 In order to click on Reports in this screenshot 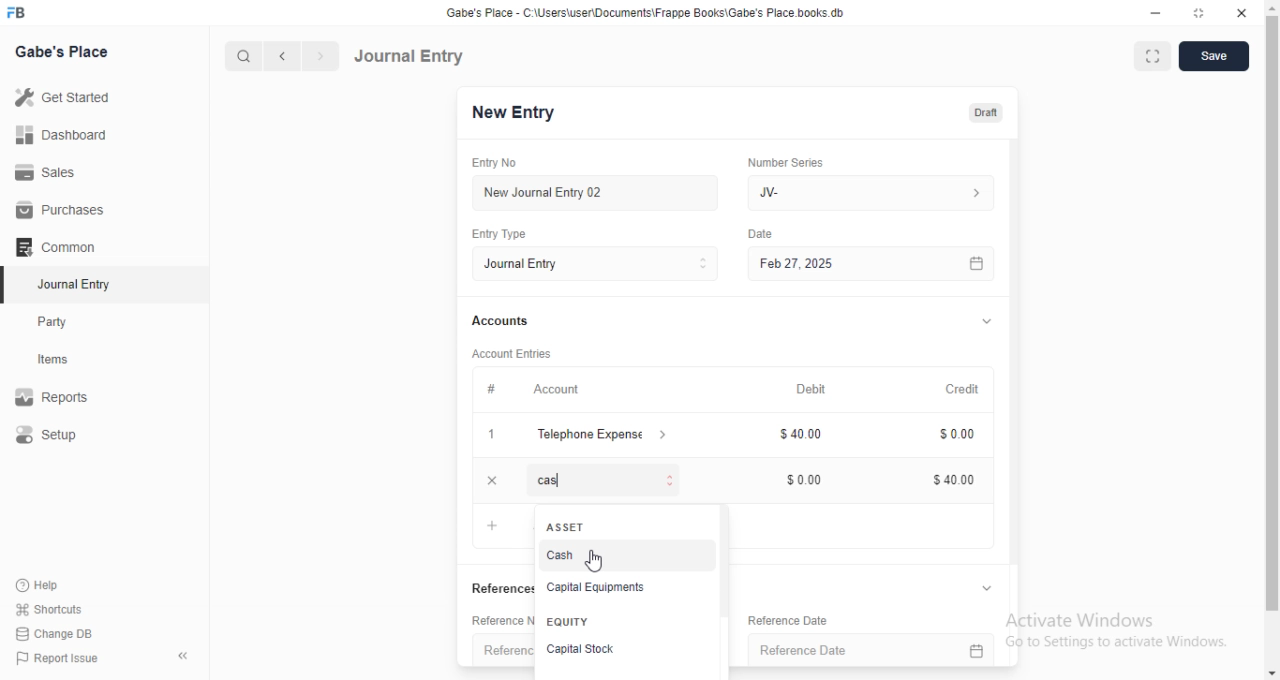, I will do `click(53, 394)`.